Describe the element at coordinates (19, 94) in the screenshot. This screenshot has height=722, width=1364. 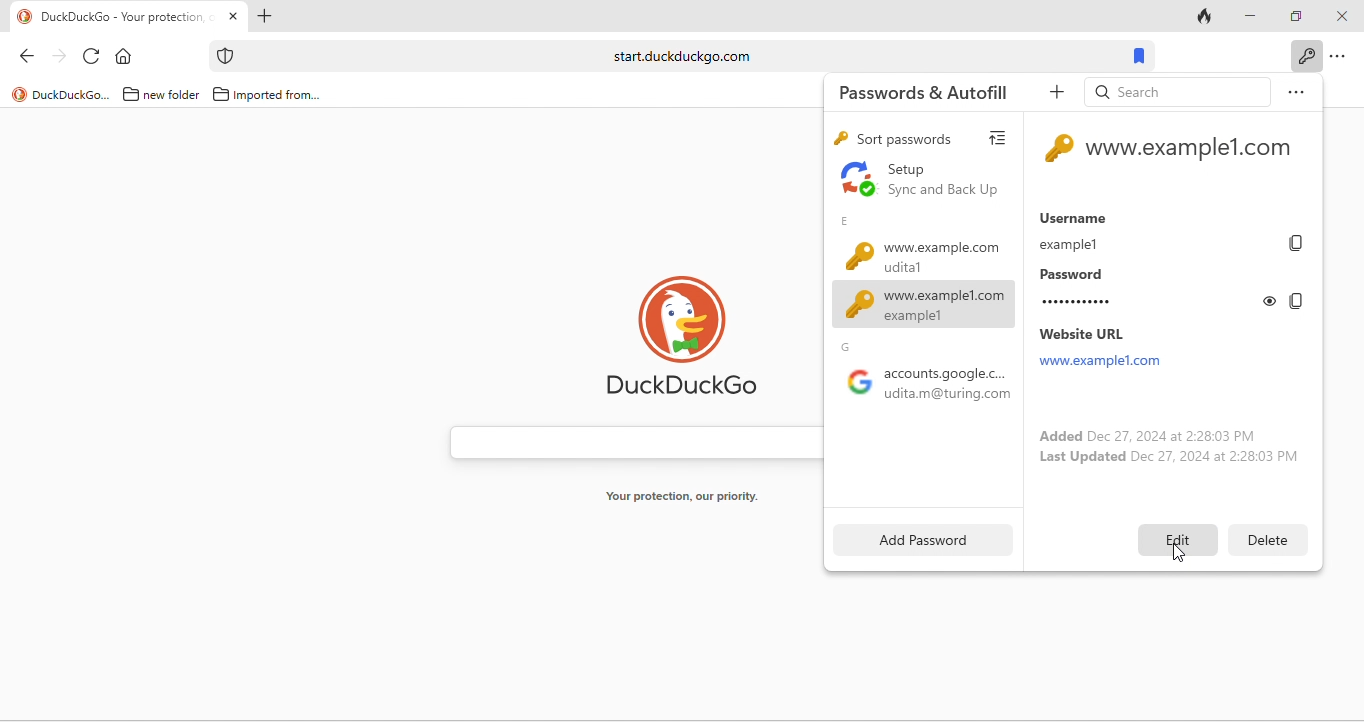
I see `logo` at that location.